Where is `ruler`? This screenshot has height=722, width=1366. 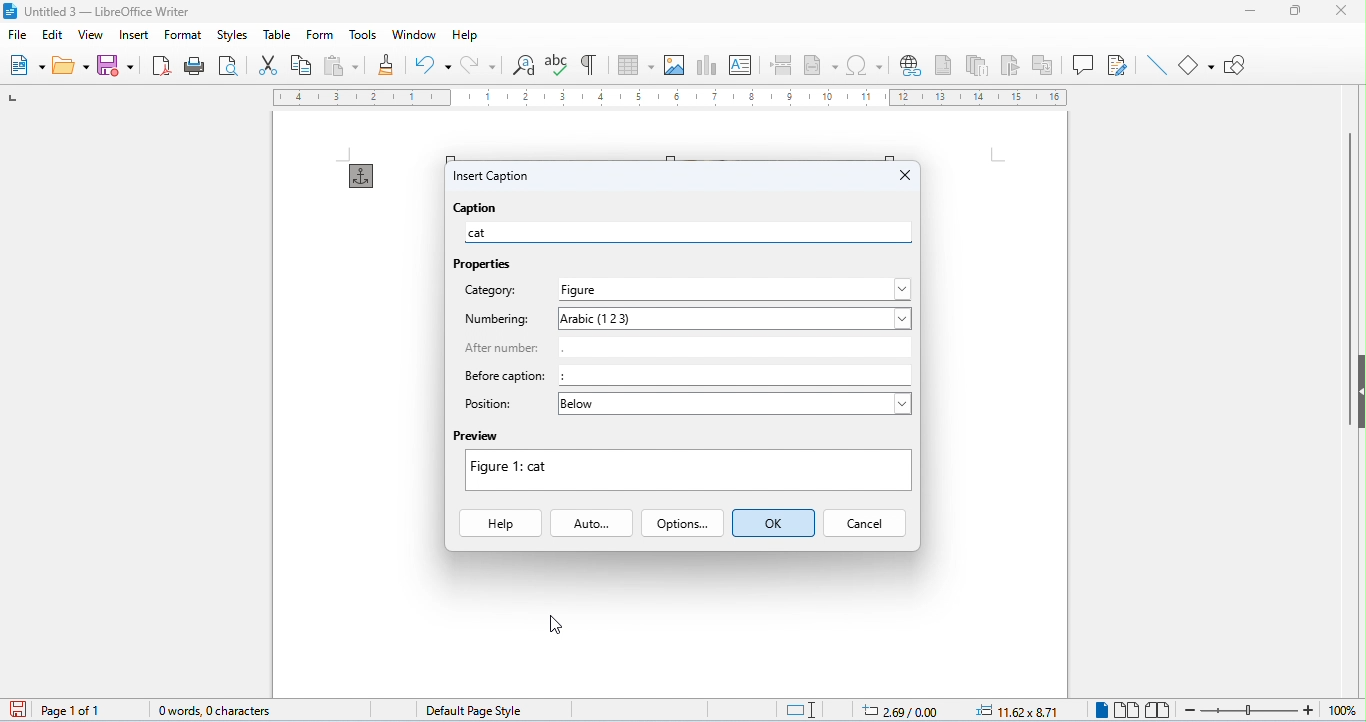
ruler is located at coordinates (671, 98).